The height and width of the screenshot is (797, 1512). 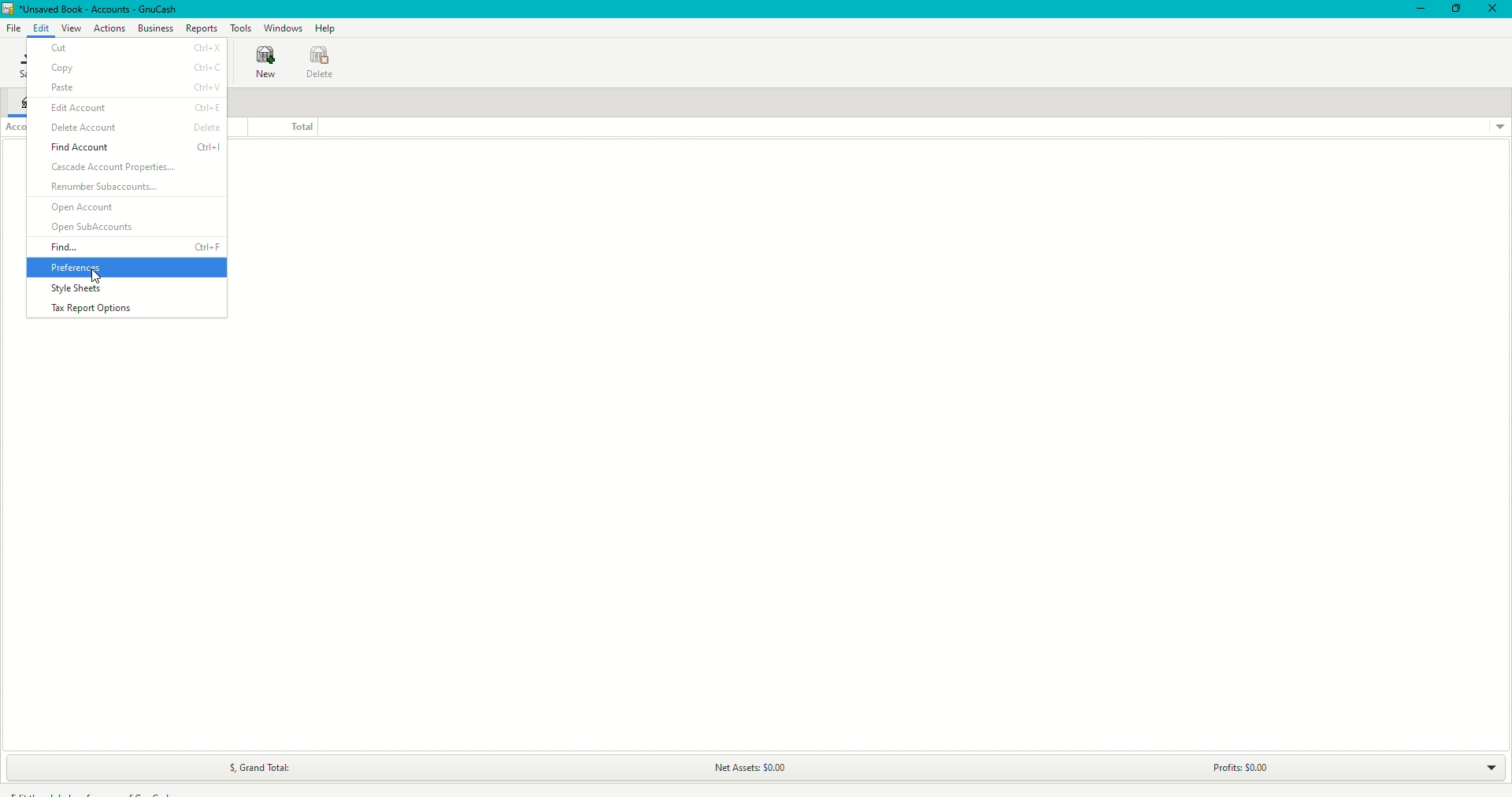 What do you see at coordinates (98, 277) in the screenshot?
I see `cursor` at bounding box center [98, 277].